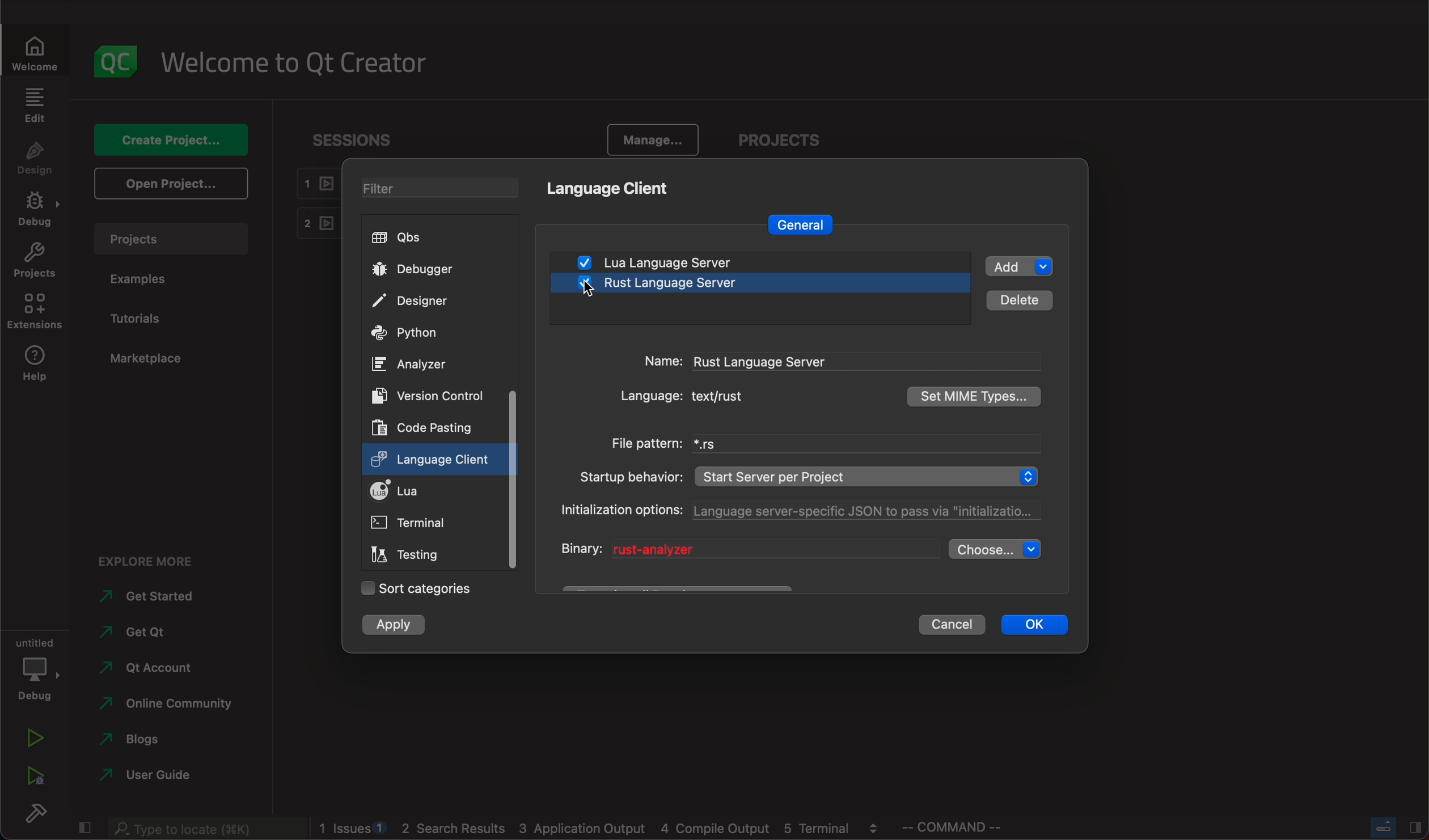 The height and width of the screenshot is (840, 1429). Describe the element at coordinates (743, 549) in the screenshot. I see `binary` at that location.